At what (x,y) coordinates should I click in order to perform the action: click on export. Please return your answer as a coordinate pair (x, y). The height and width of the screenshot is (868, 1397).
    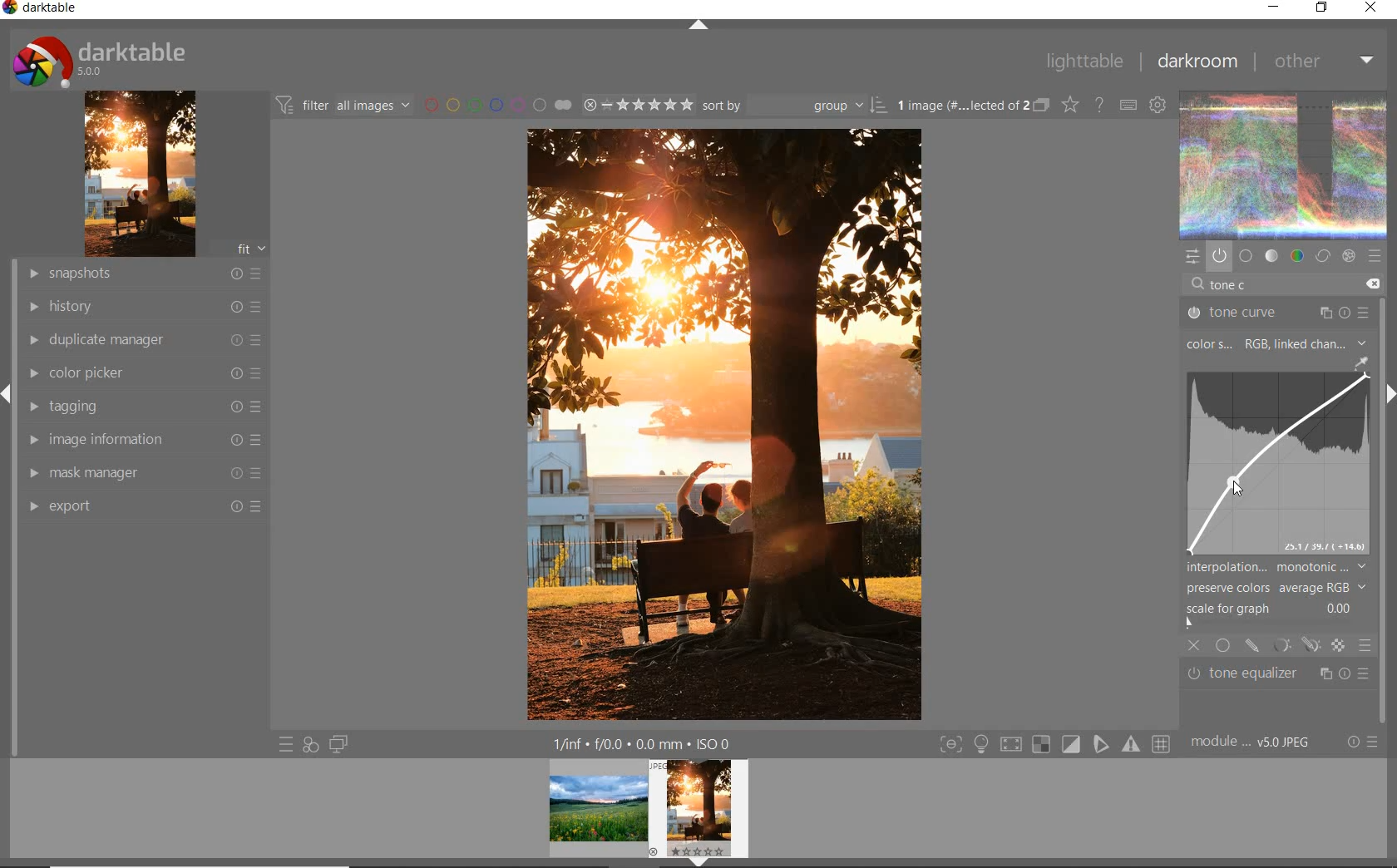
    Looking at the image, I should click on (142, 508).